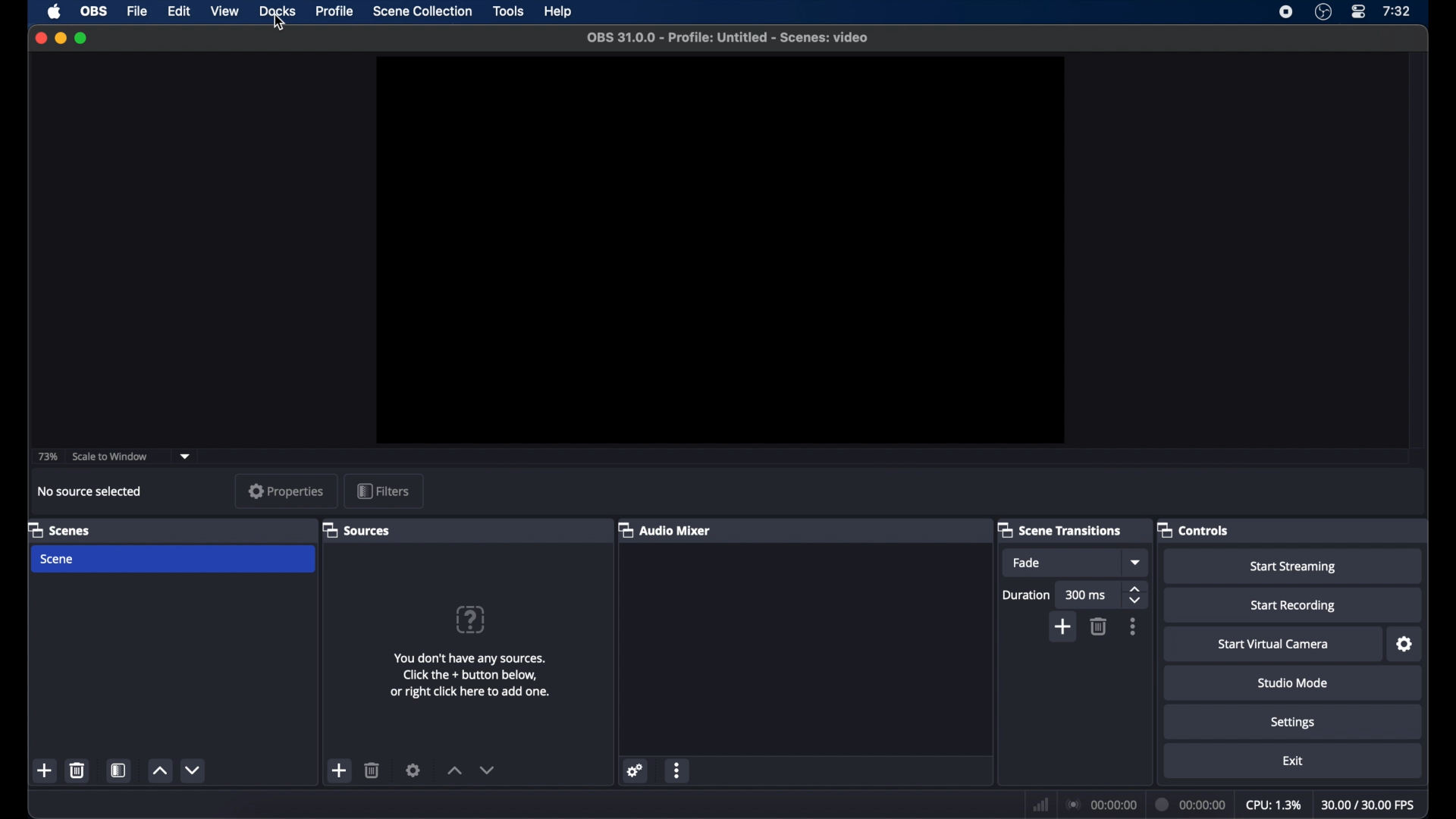 Image resolution: width=1456 pixels, height=819 pixels. I want to click on file, so click(138, 11).